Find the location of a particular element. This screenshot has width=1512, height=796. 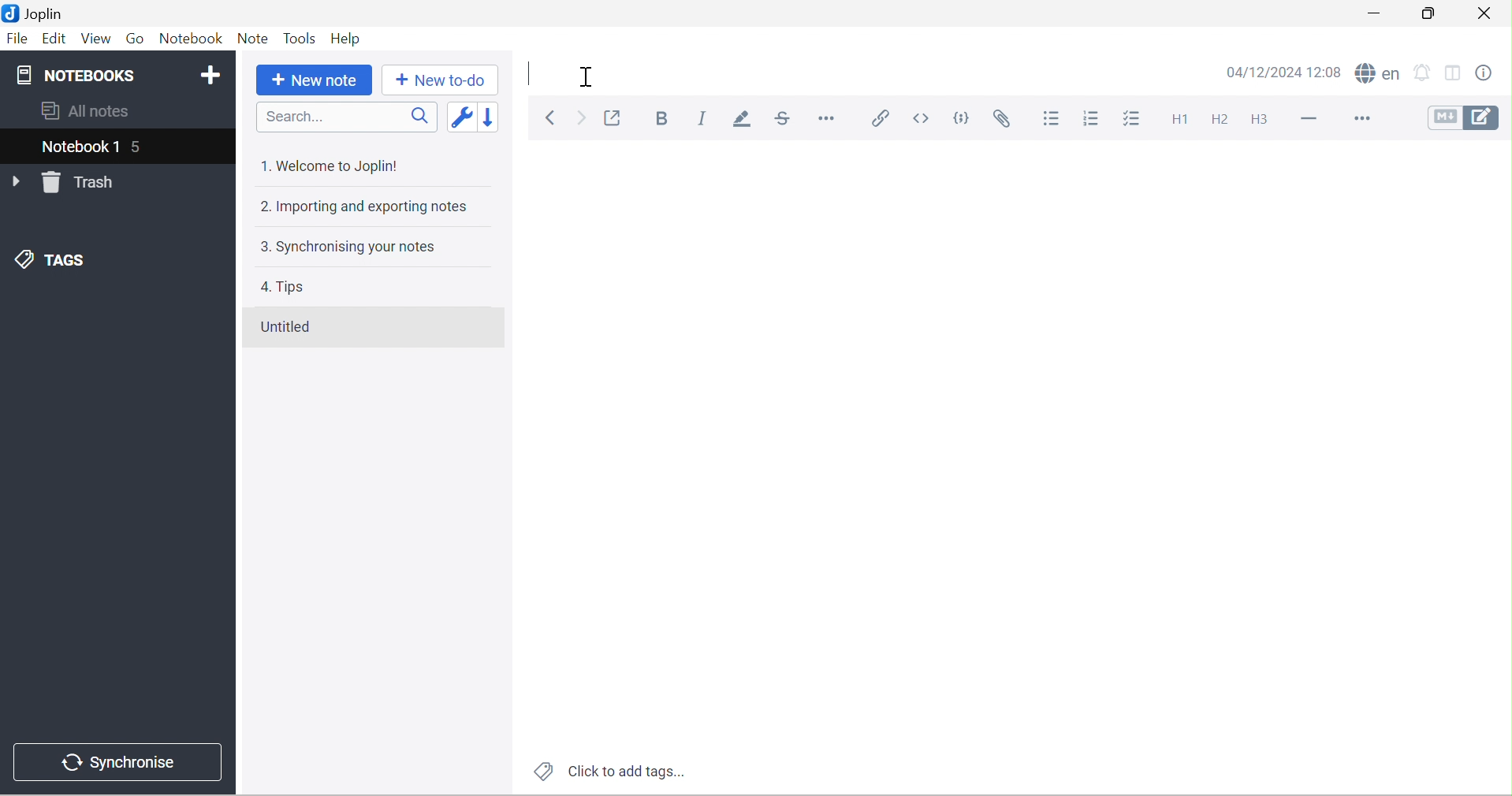

set alarm is located at coordinates (1423, 71).